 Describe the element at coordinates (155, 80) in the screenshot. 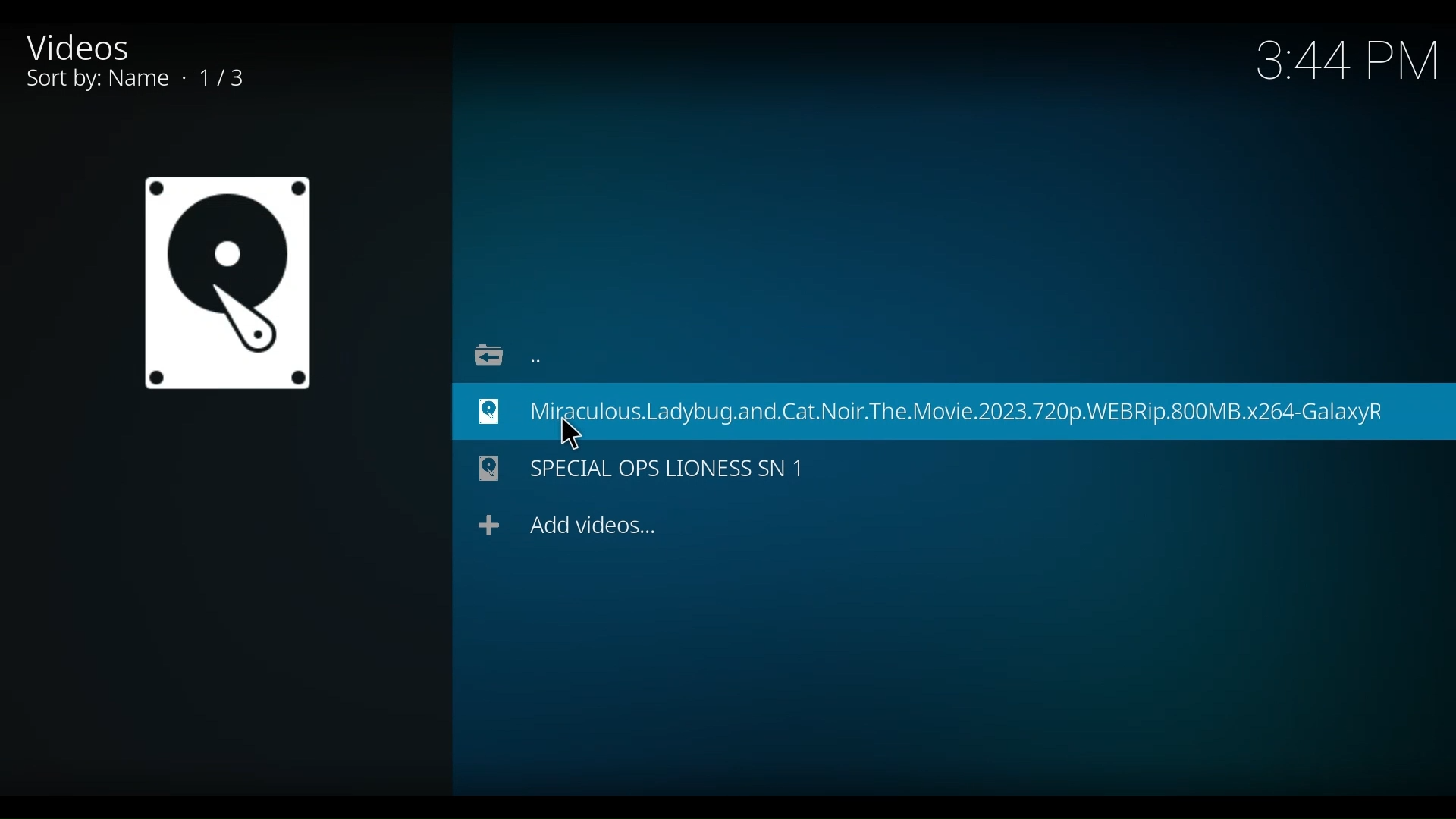

I see `Sort by Name` at that location.